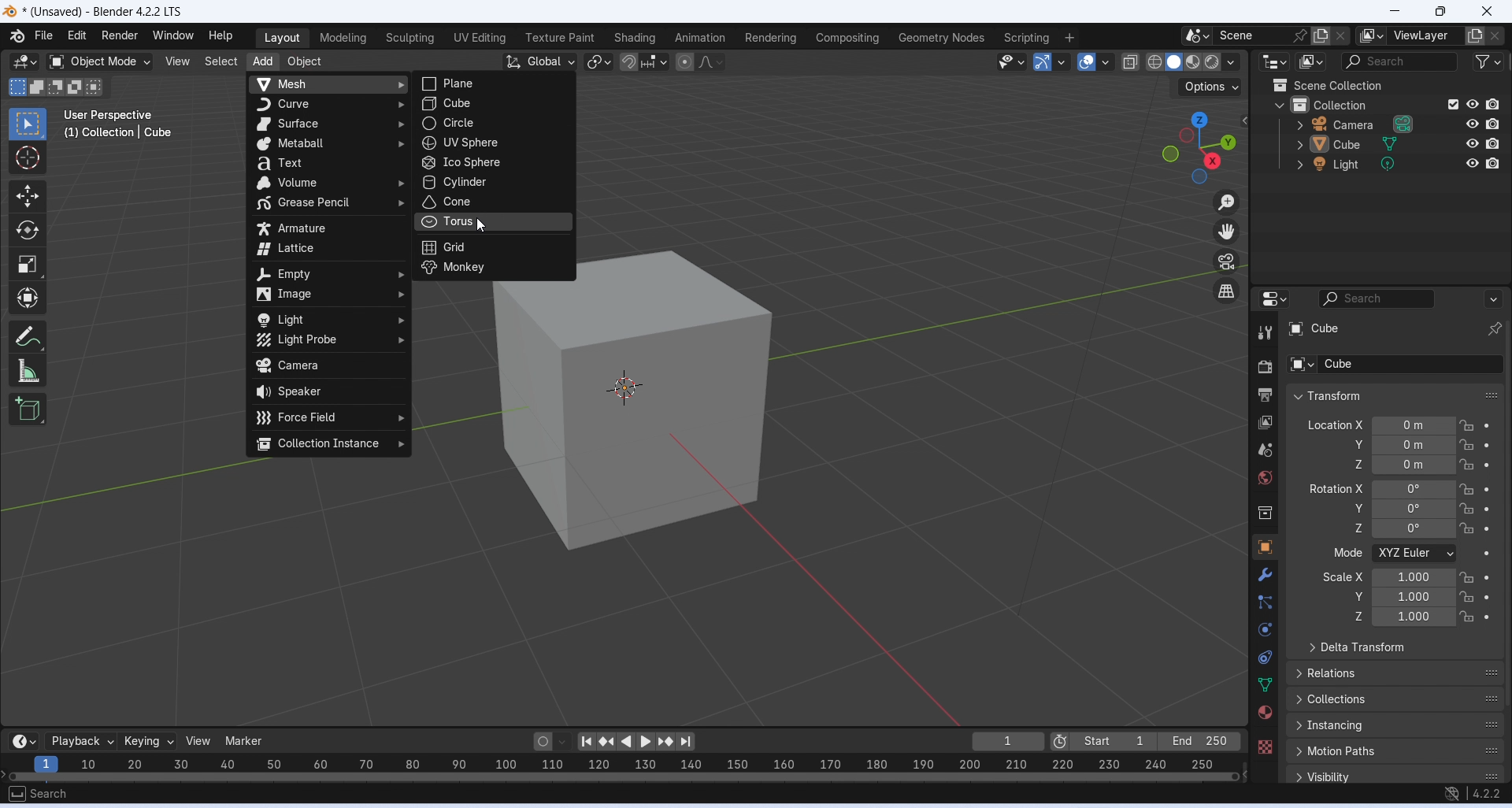 The height and width of the screenshot is (808, 1512). I want to click on force field, so click(330, 417).